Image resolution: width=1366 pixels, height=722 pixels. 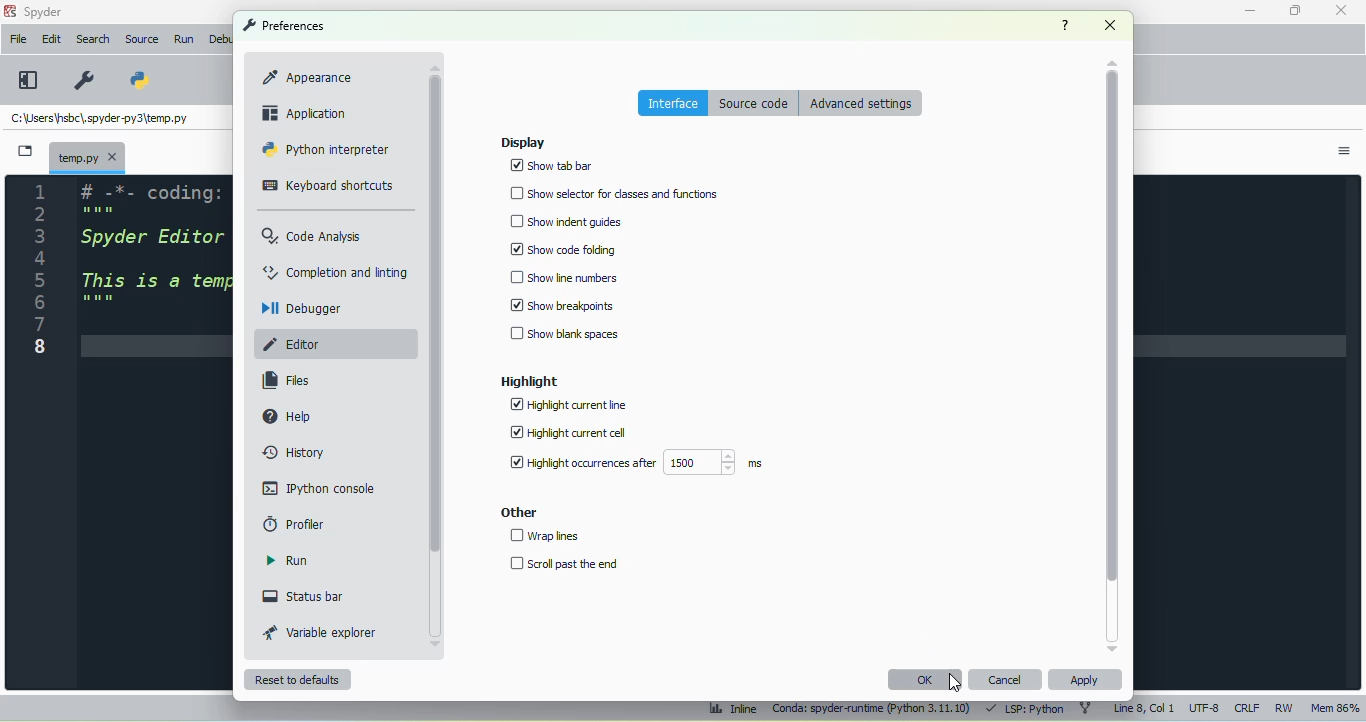 What do you see at coordinates (565, 564) in the screenshot?
I see `scroll past the end` at bounding box center [565, 564].